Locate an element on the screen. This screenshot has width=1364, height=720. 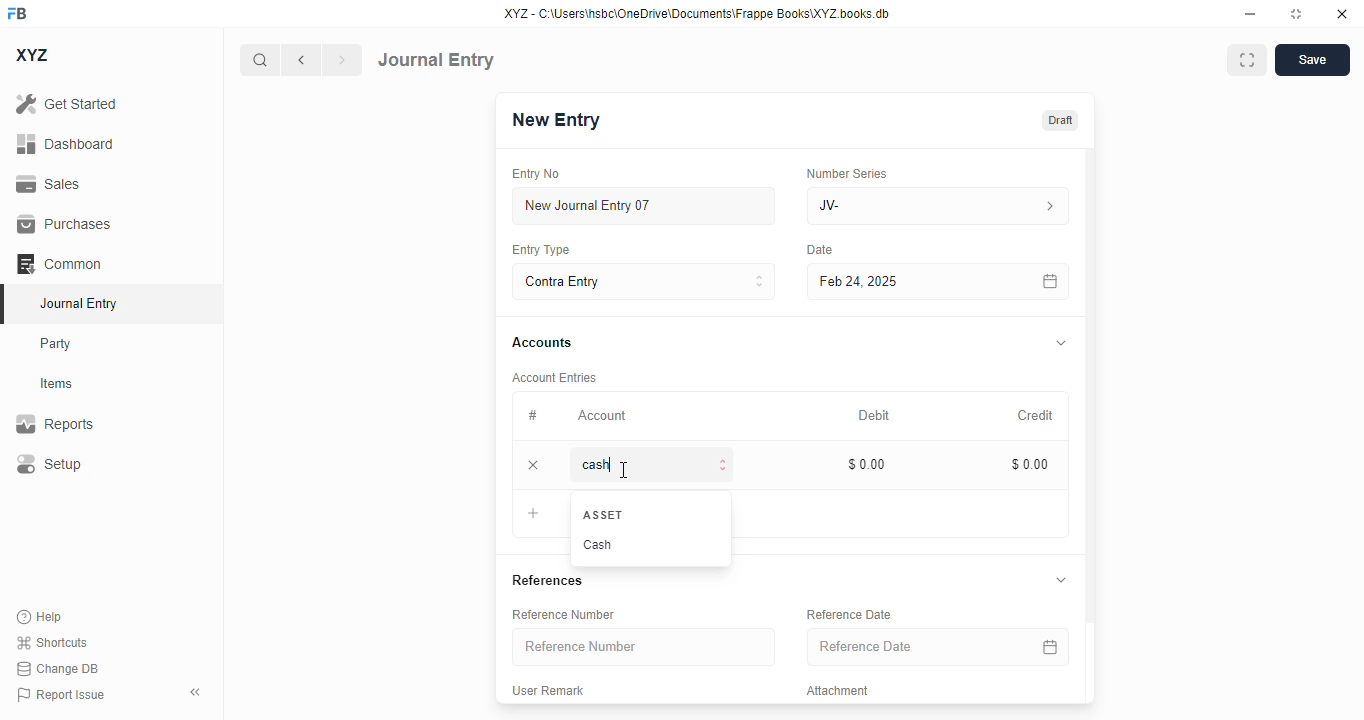
# is located at coordinates (531, 415).